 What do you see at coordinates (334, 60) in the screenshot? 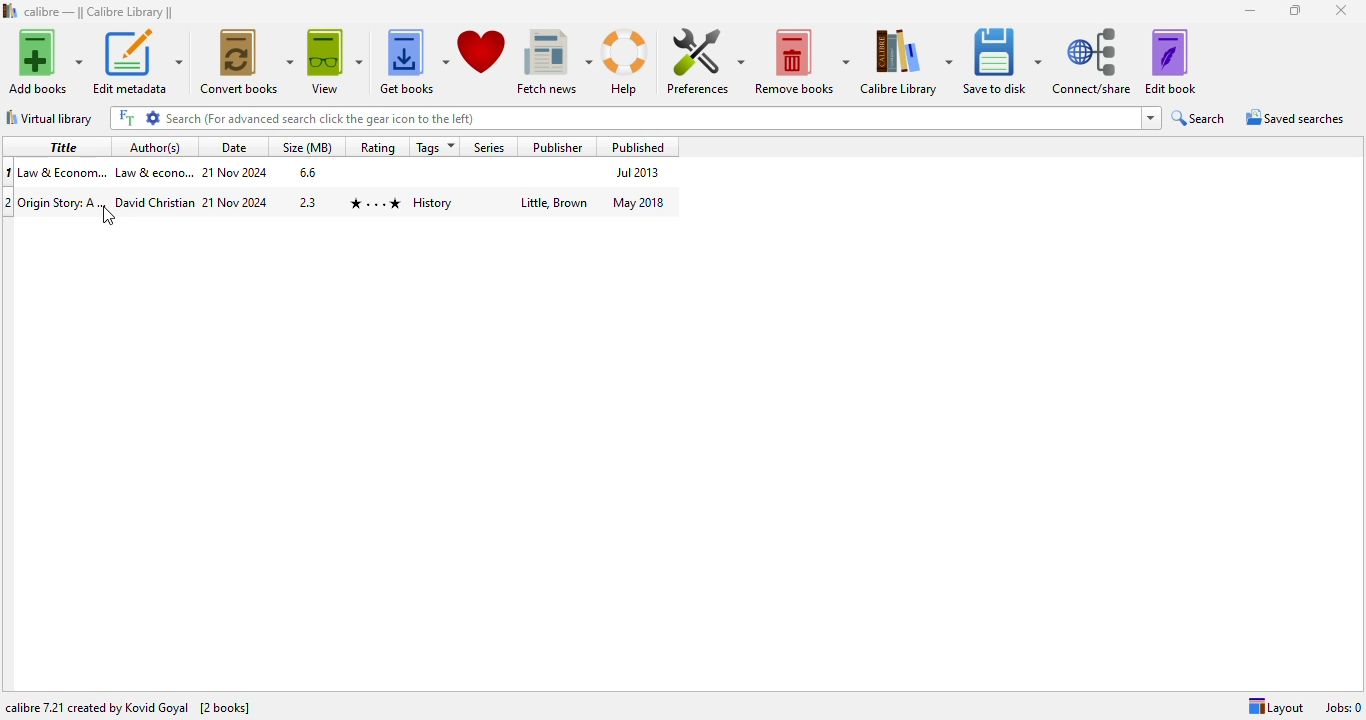
I see `view` at bounding box center [334, 60].